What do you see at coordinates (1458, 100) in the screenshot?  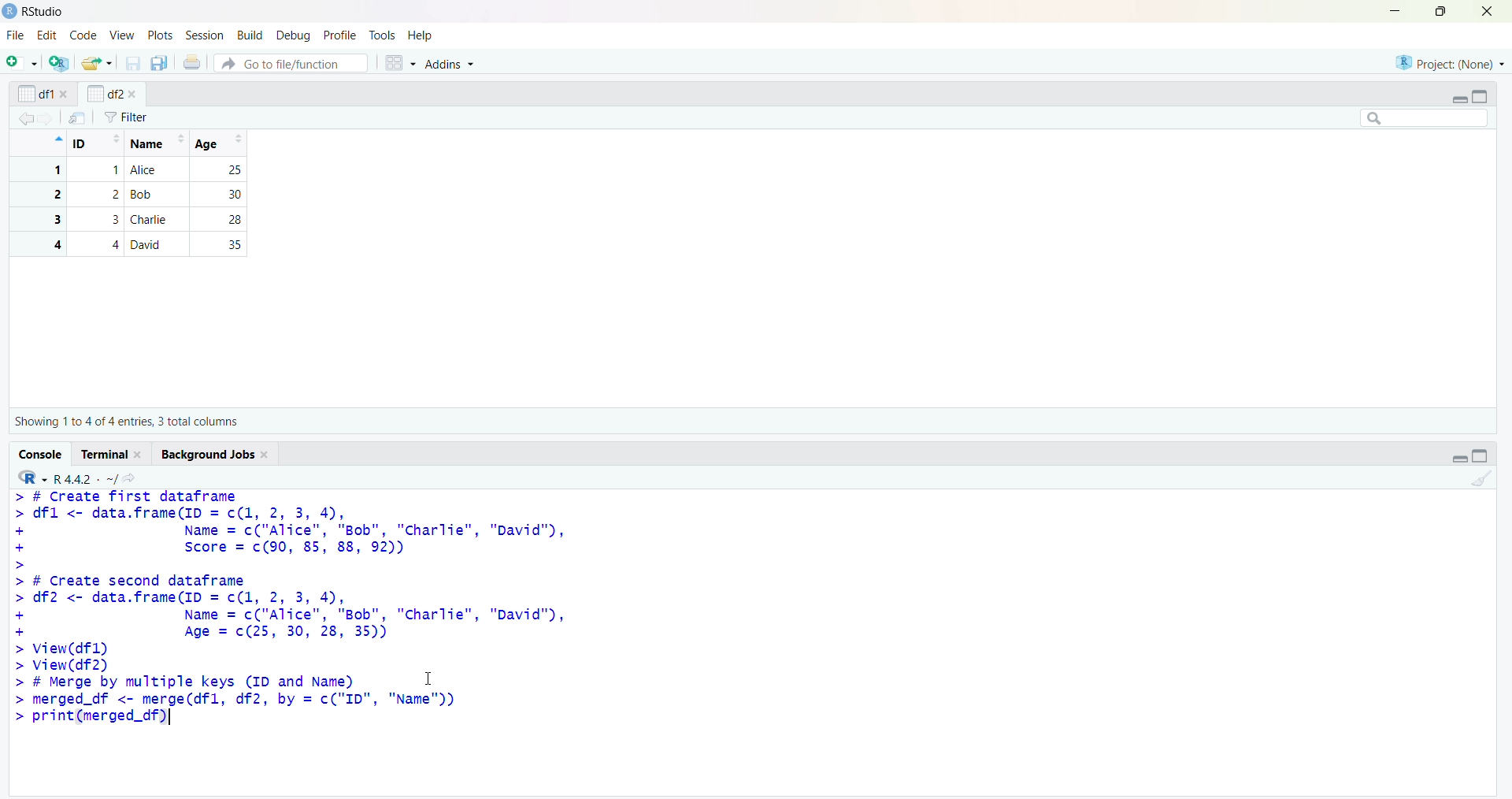 I see `Collapse/expand ` at bounding box center [1458, 100].